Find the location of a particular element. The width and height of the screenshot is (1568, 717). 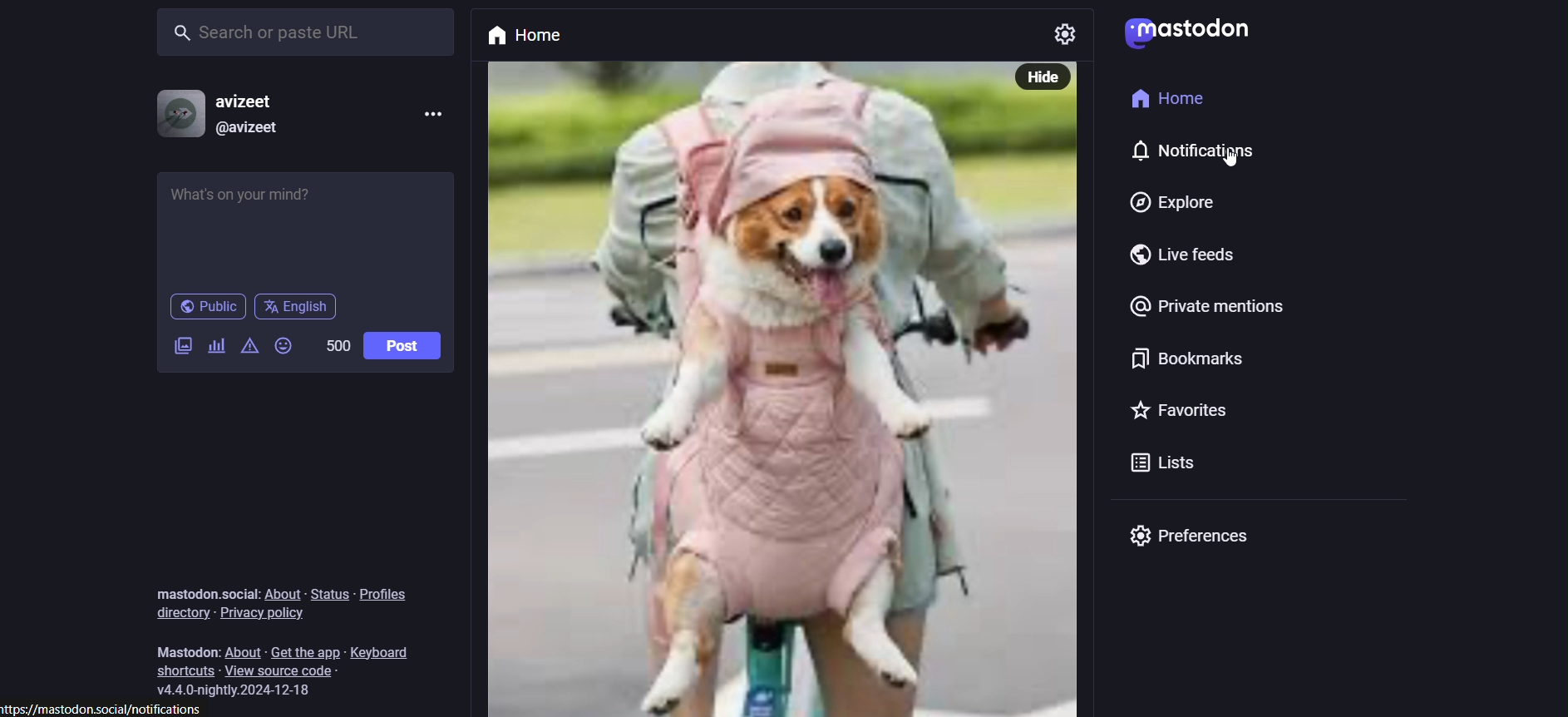

live feeds is located at coordinates (1190, 255).